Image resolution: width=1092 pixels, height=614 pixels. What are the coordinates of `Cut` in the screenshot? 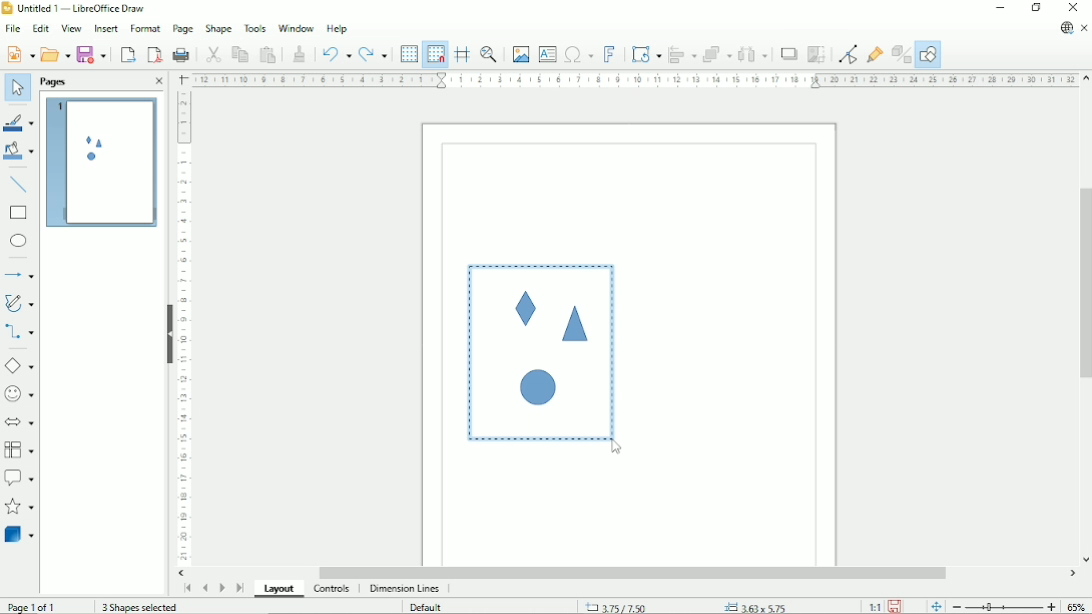 It's located at (212, 53).